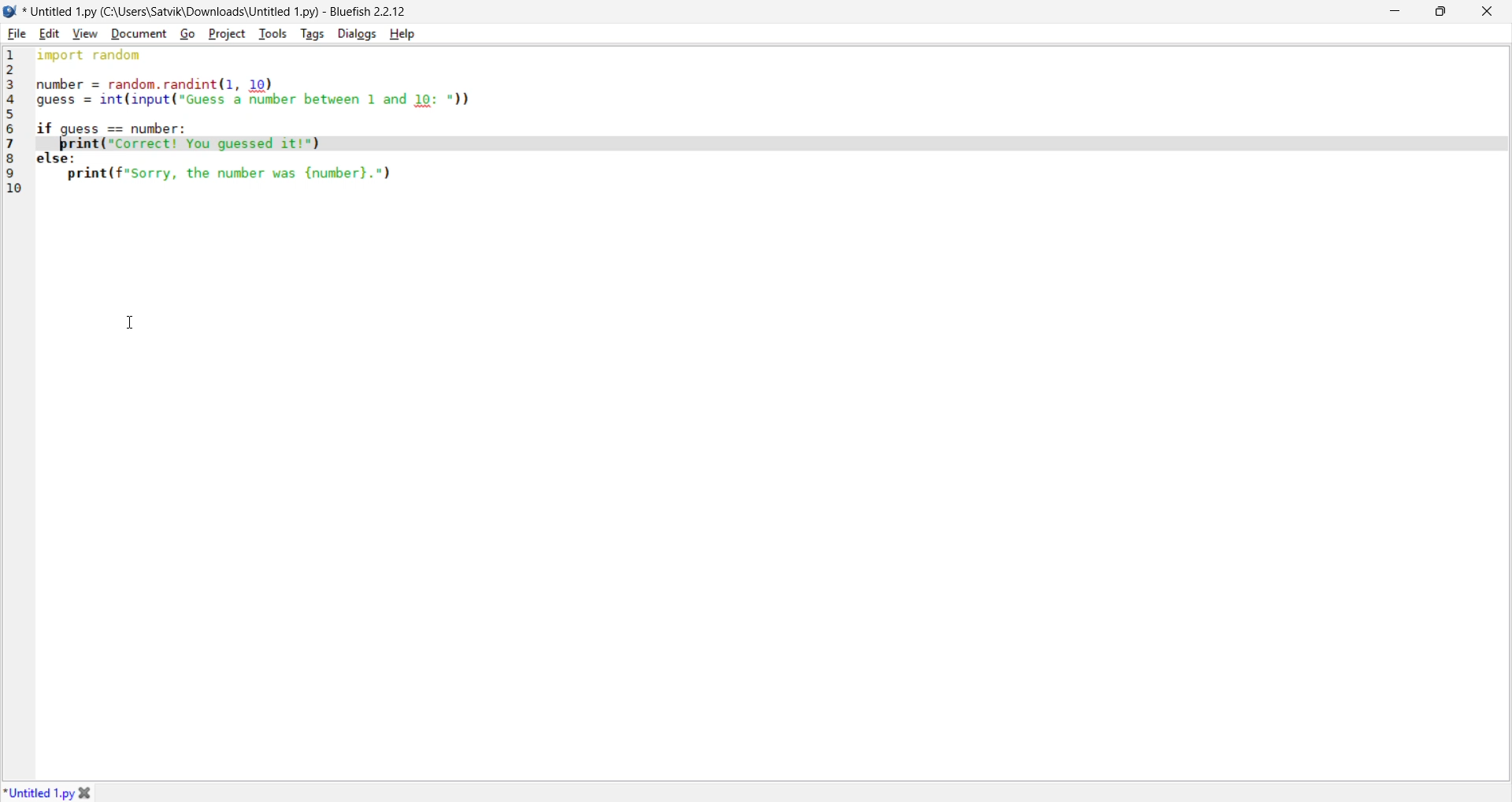 This screenshot has width=1512, height=802. What do you see at coordinates (226, 34) in the screenshot?
I see `project` at bounding box center [226, 34].